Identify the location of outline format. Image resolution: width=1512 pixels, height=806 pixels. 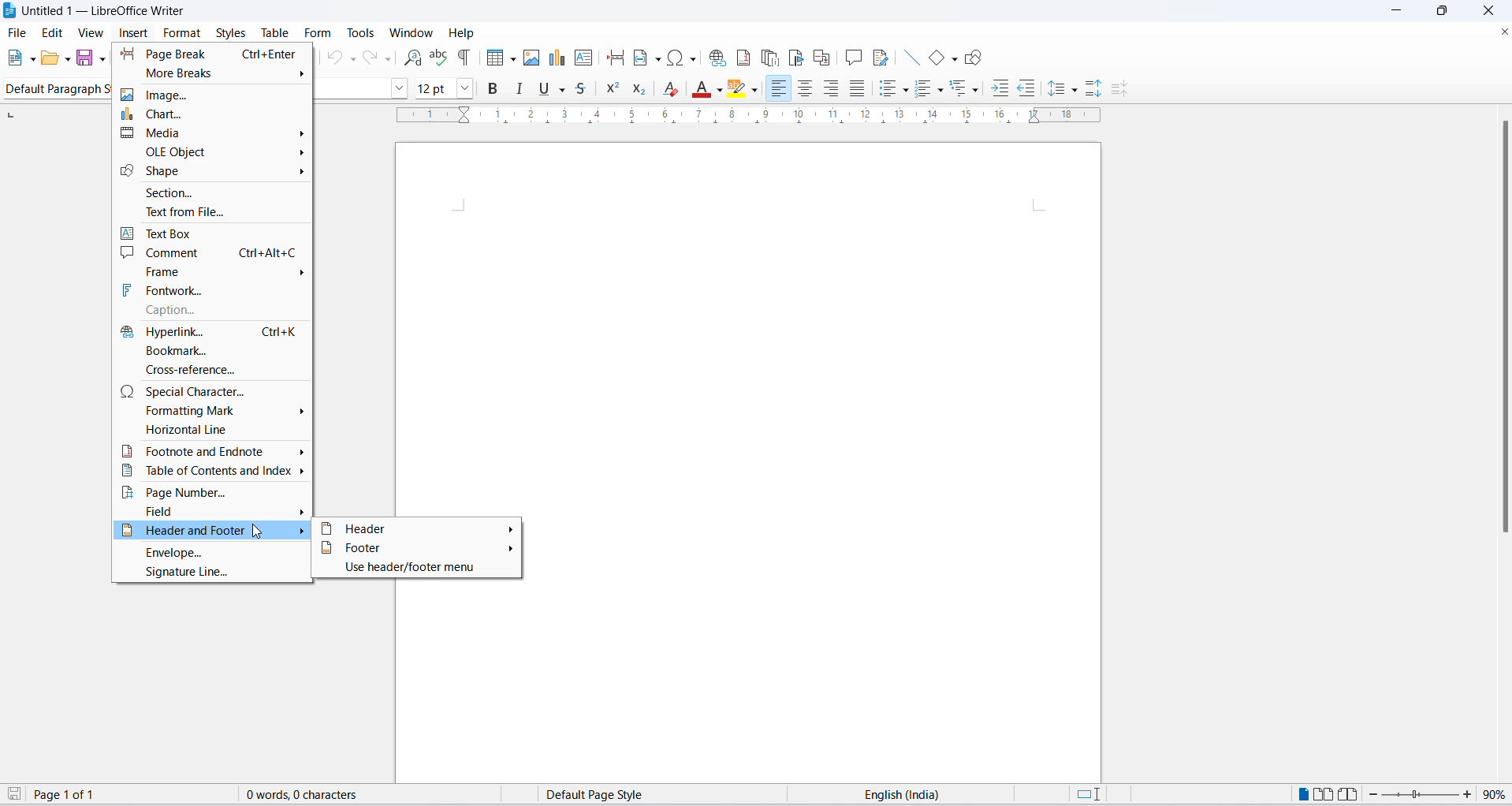
(963, 91).